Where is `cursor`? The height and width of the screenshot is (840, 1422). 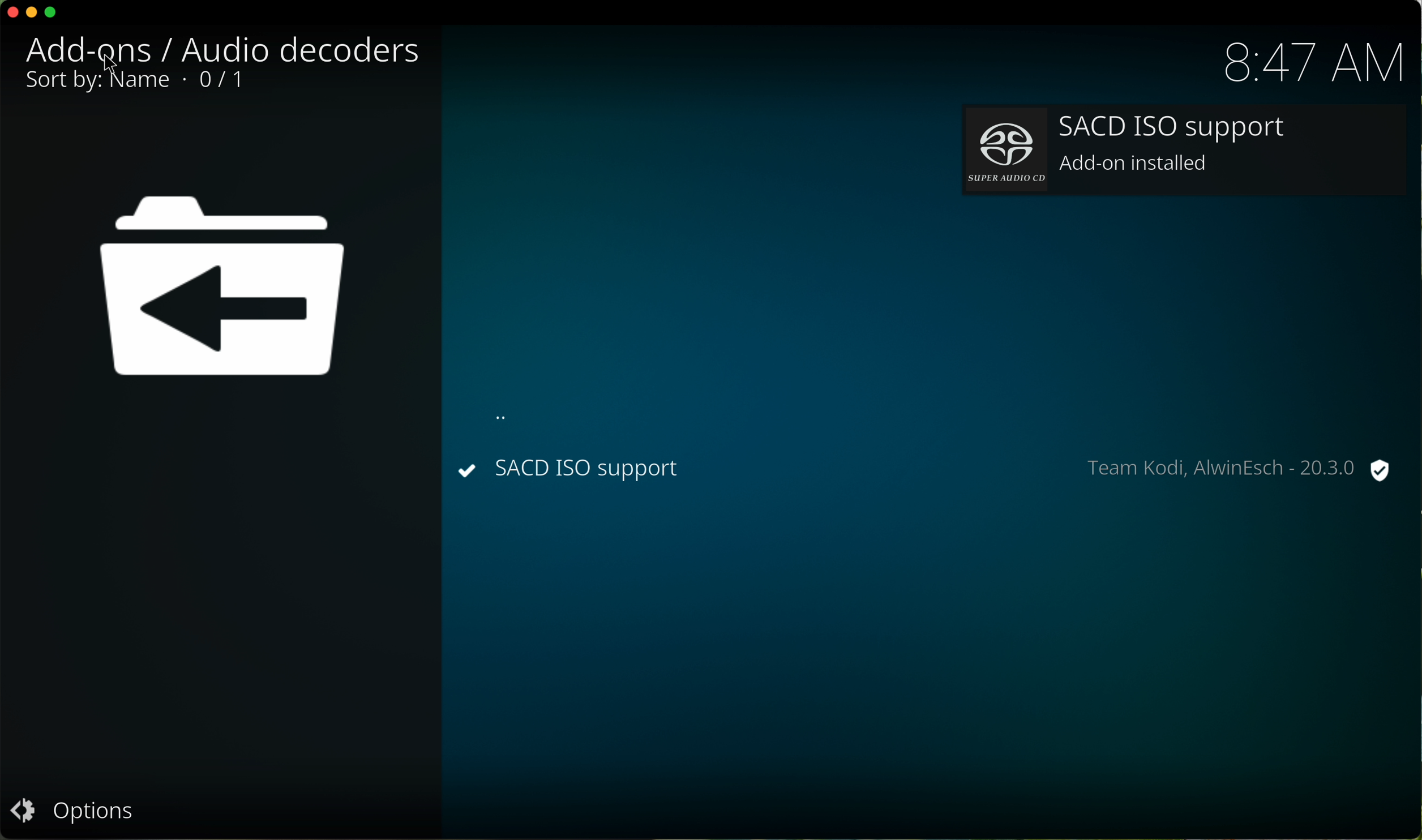 cursor is located at coordinates (116, 66).